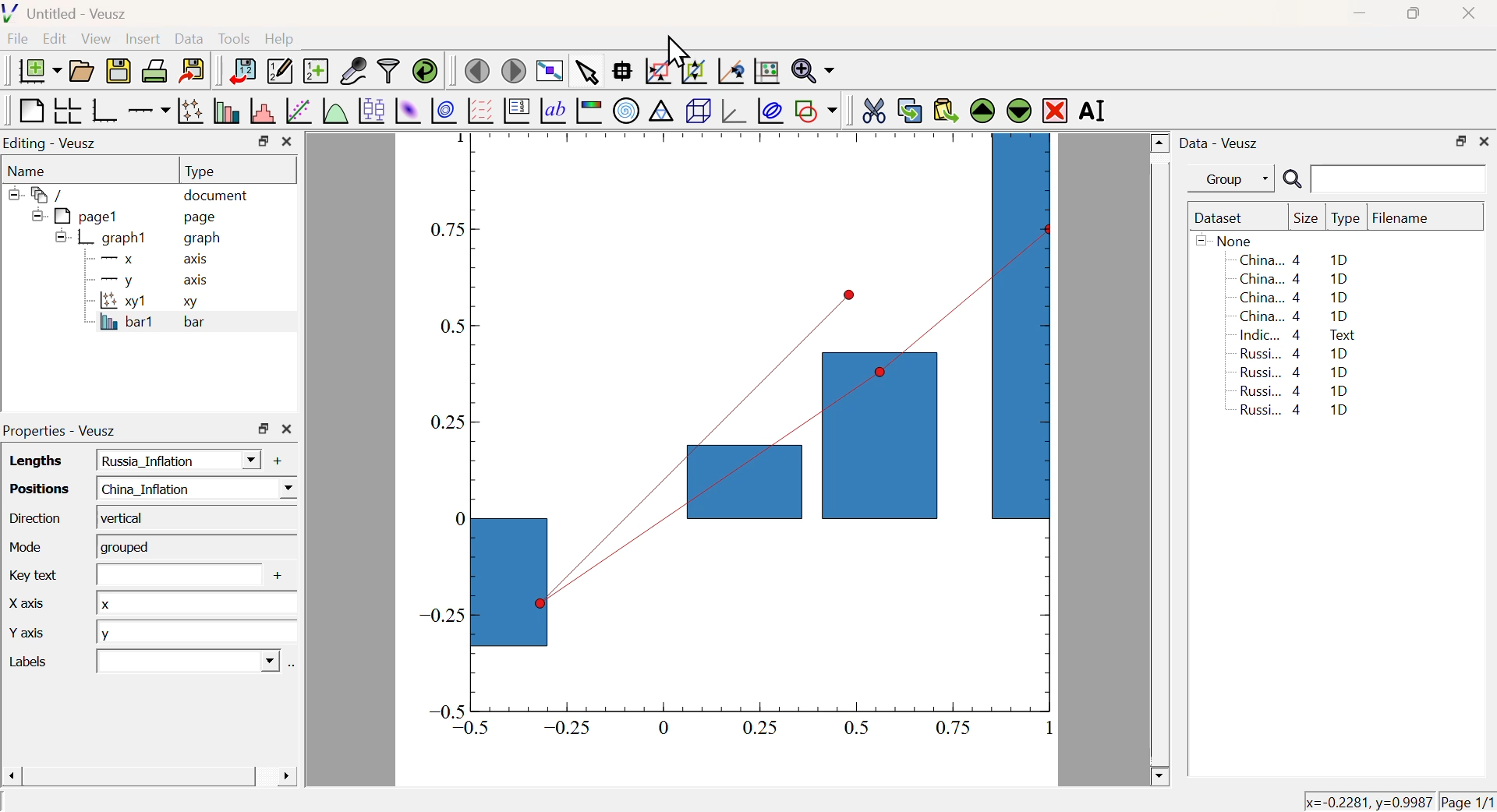 The width and height of the screenshot is (1497, 812). What do you see at coordinates (168, 574) in the screenshot?
I see `Input` at bounding box center [168, 574].